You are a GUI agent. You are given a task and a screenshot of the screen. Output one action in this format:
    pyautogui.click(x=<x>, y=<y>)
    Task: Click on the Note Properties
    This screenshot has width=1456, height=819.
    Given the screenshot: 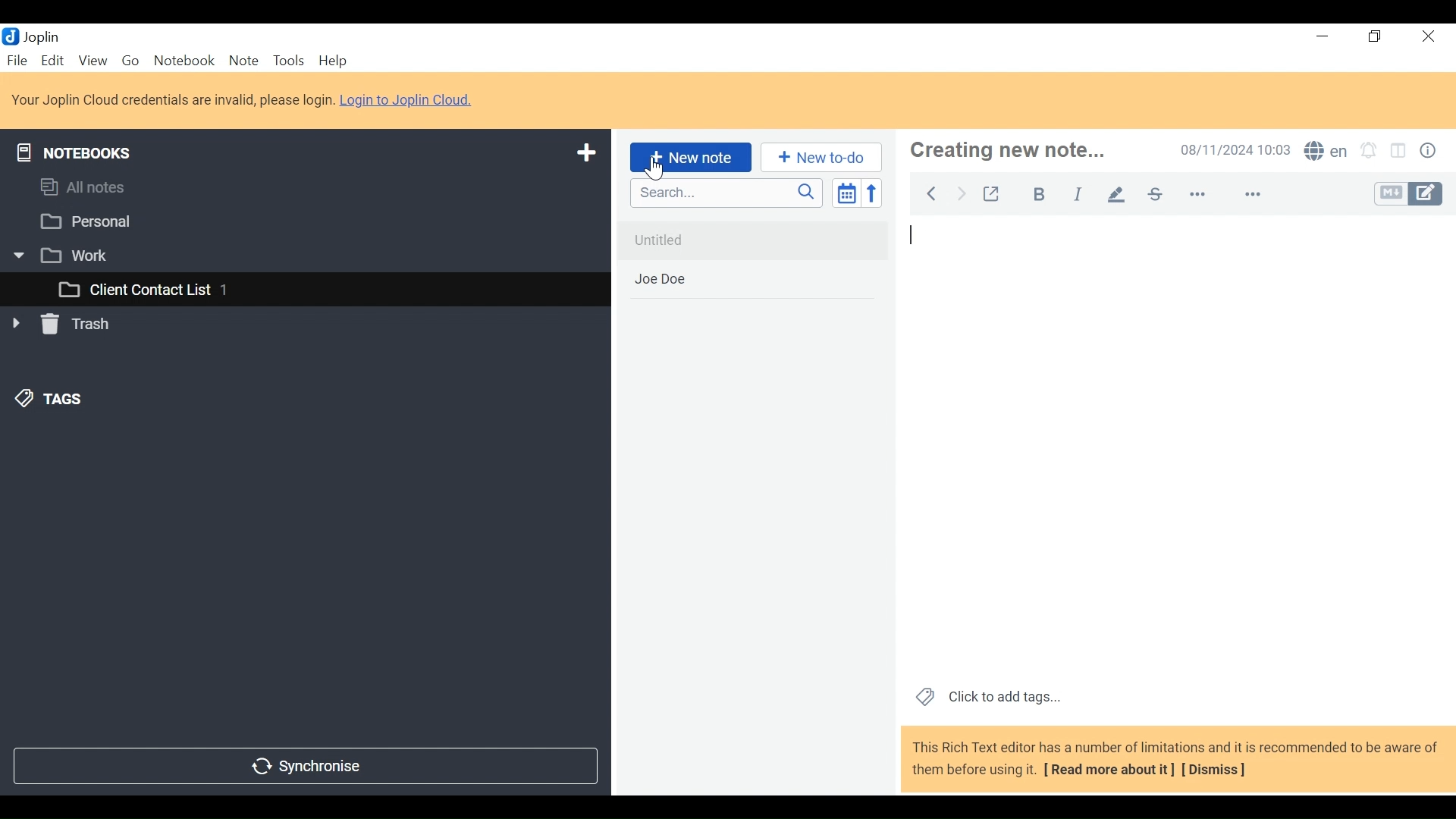 What is the action you would take?
    pyautogui.click(x=1428, y=149)
    